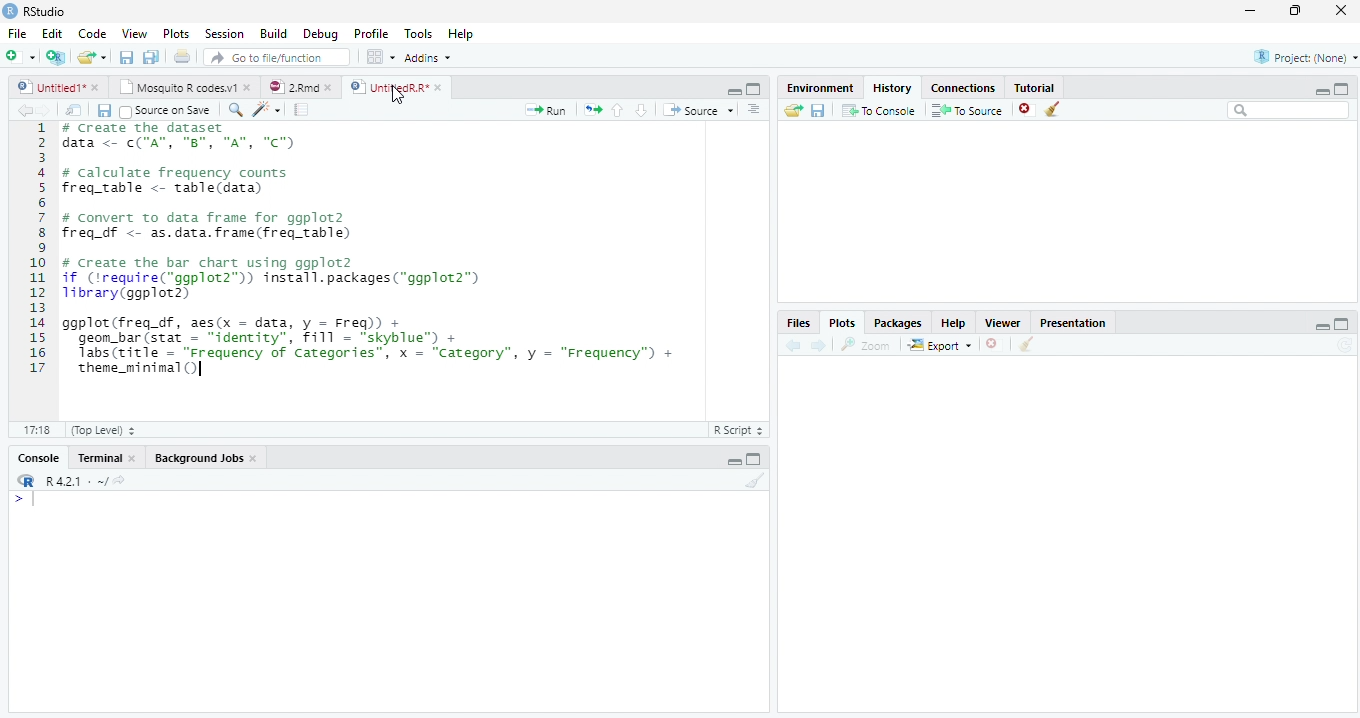 This screenshot has width=1360, height=718. What do you see at coordinates (133, 34) in the screenshot?
I see `View` at bounding box center [133, 34].